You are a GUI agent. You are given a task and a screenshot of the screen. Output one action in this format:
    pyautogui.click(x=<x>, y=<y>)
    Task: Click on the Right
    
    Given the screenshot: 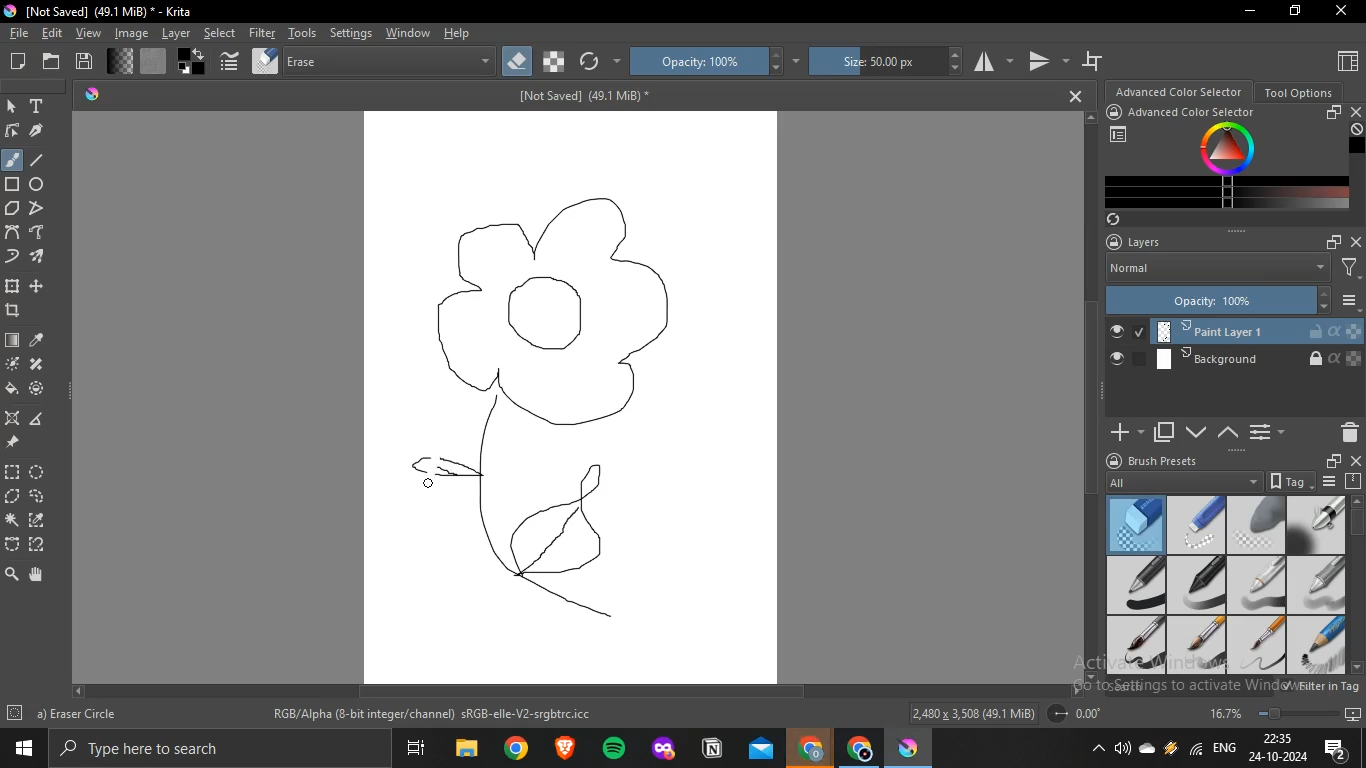 What is the action you would take?
    pyautogui.click(x=1075, y=690)
    